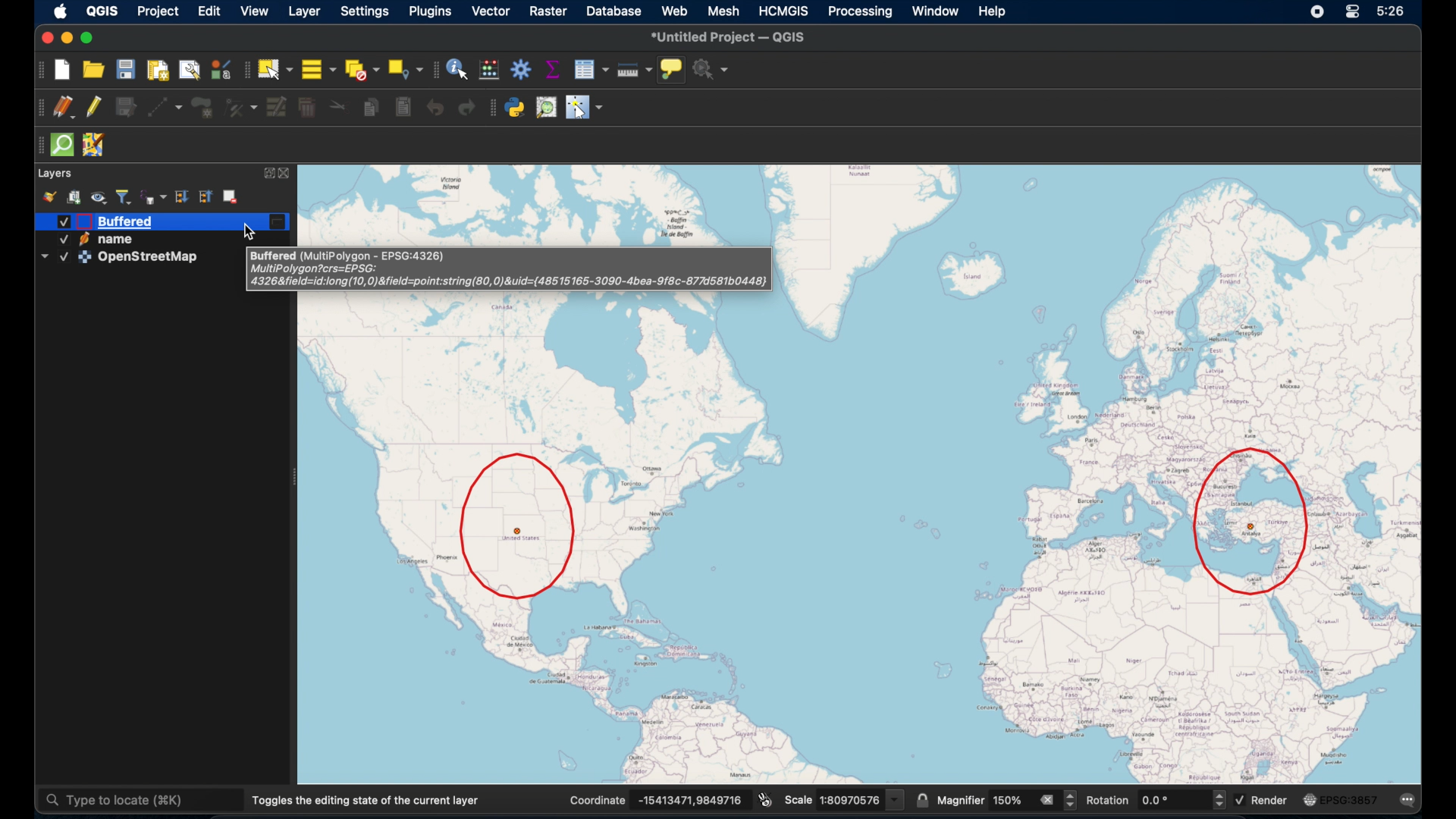 This screenshot has width=1456, height=819. Describe the element at coordinates (204, 195) in the screenshot. I see `collapse all` at that location.